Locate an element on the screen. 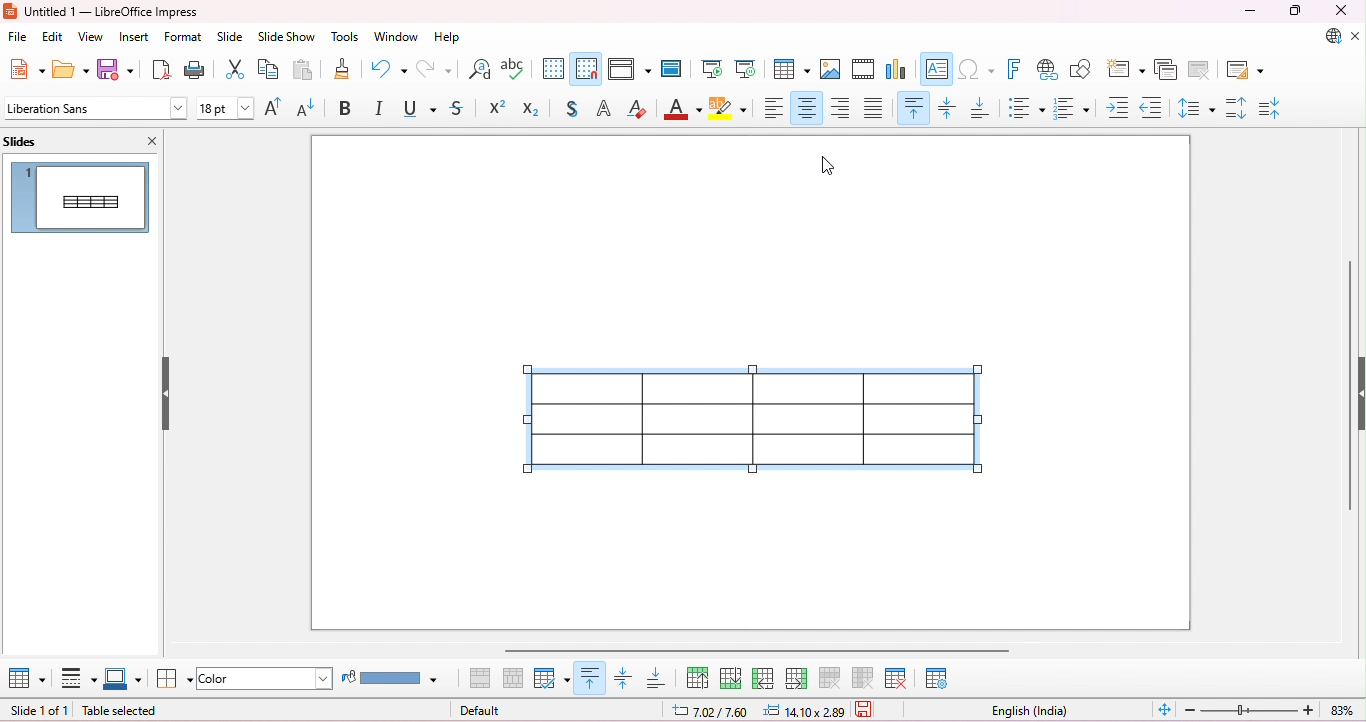  view is located at coordinates (93, 37).